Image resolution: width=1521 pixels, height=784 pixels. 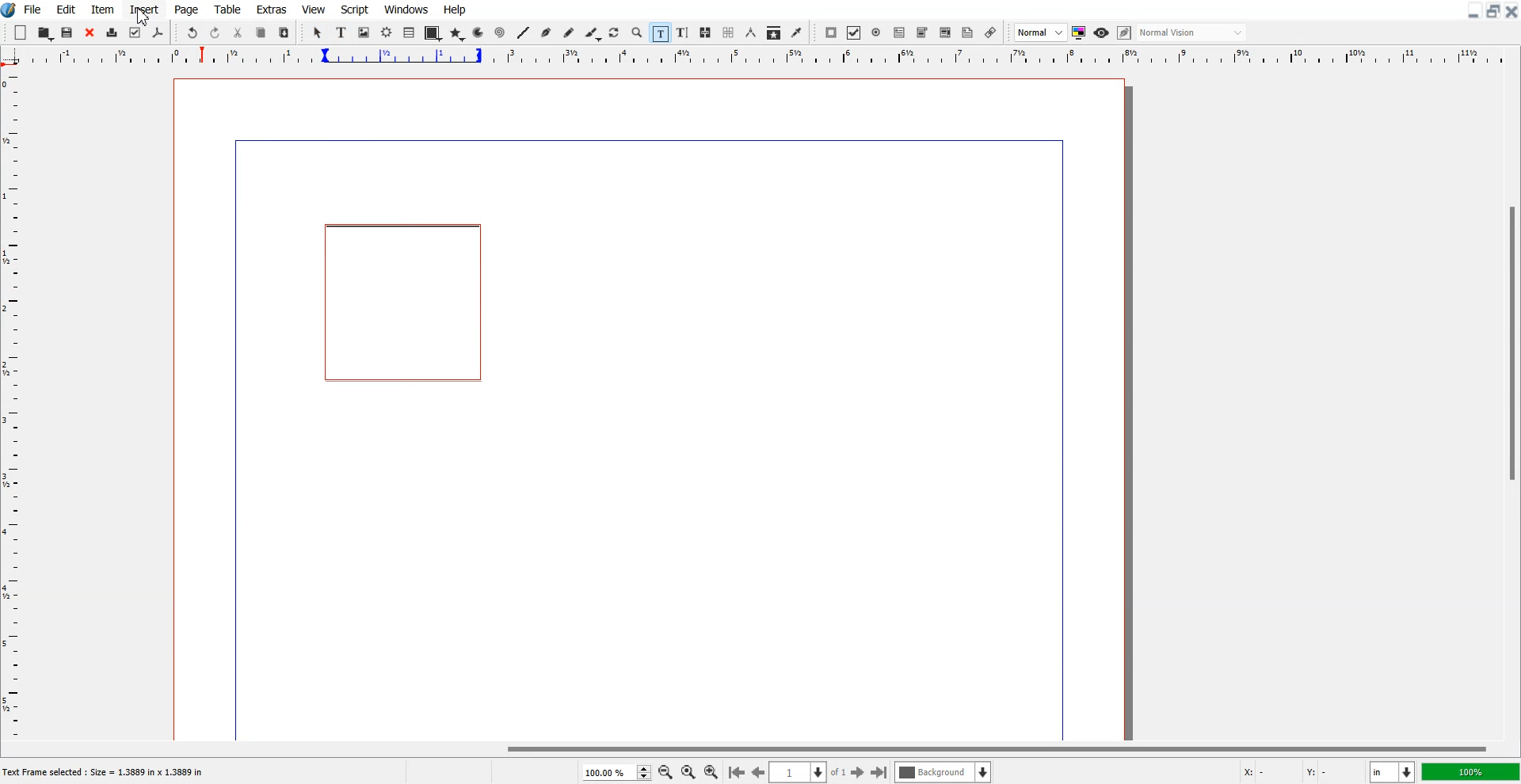 I want to click on Go to First Page, so click(x=736, y=771).